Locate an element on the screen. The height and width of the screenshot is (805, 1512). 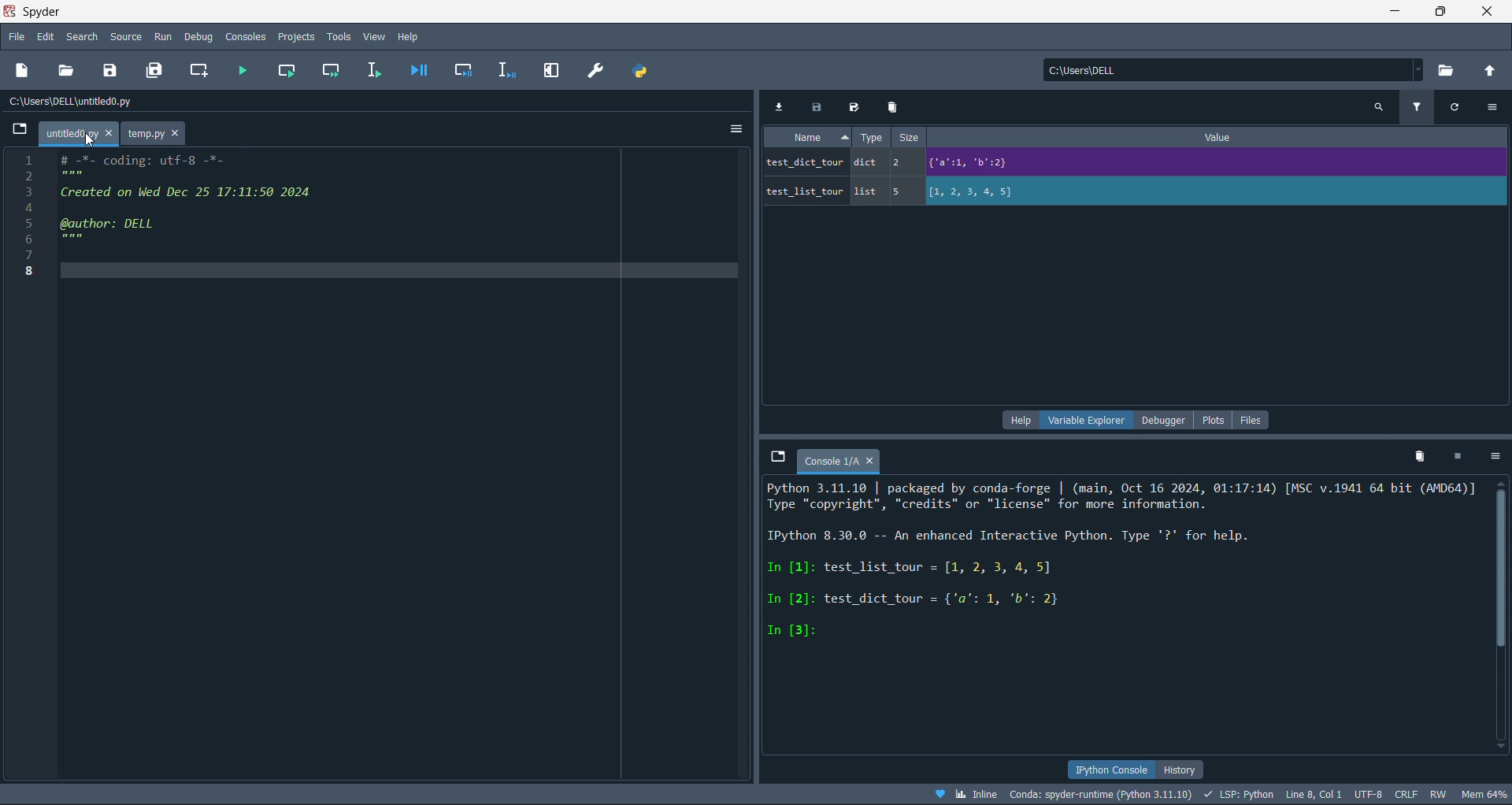
C:\Users\DELL is located at coordinates (1090, 73).